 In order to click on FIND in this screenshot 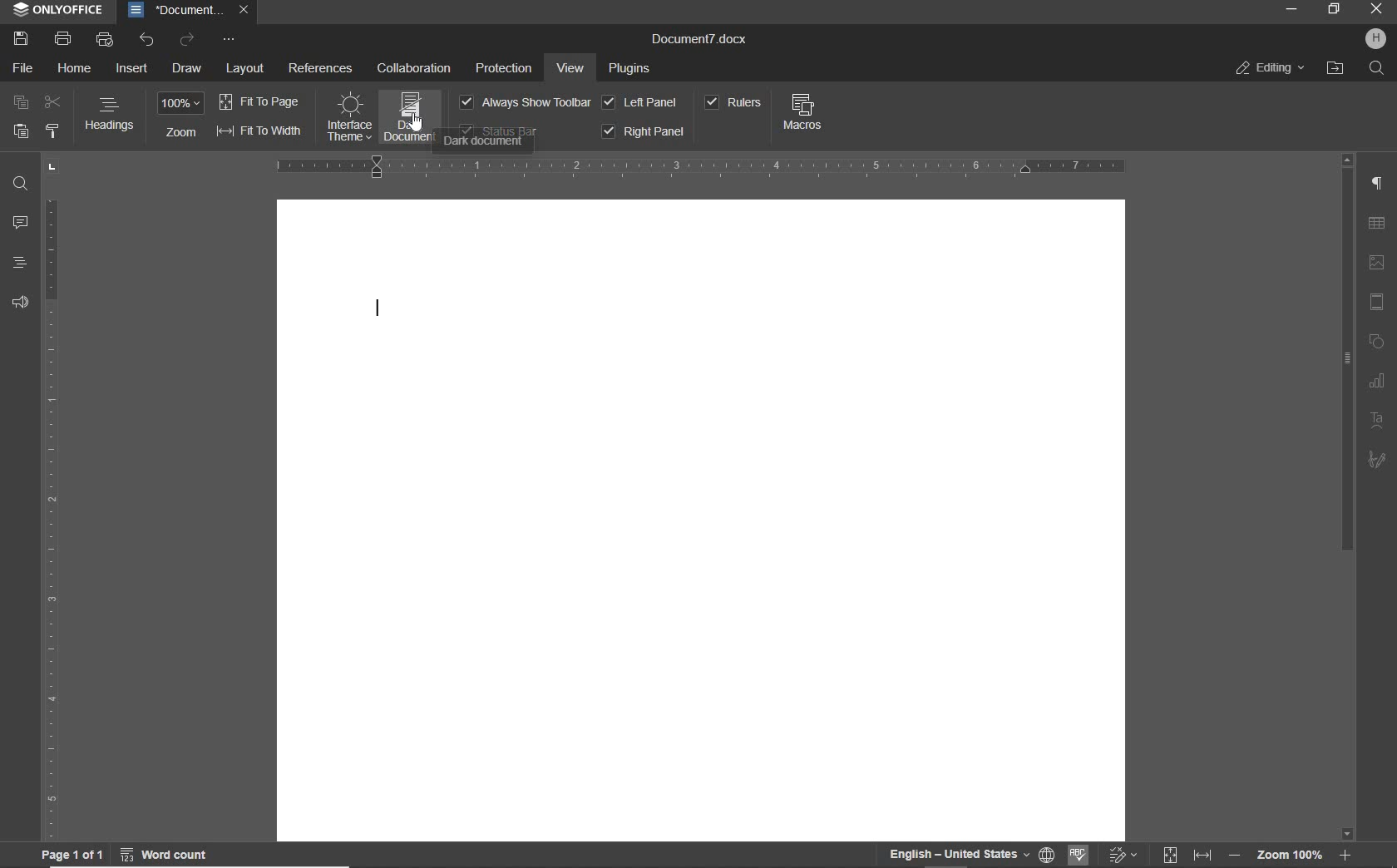, I will do `click(1376, 69)`.